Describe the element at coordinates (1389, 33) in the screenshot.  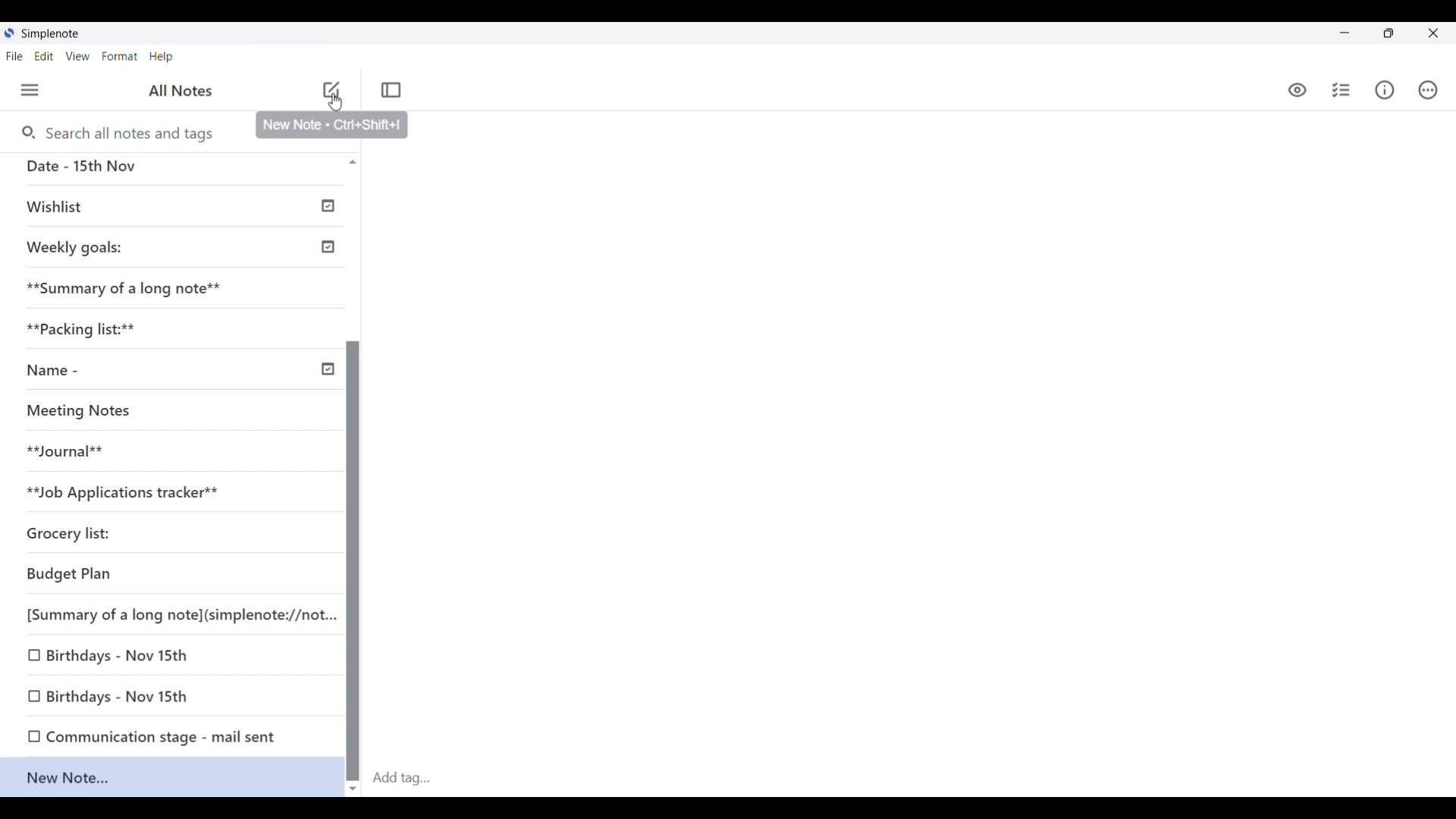
I see `Show interface in smaller tab` at that location.